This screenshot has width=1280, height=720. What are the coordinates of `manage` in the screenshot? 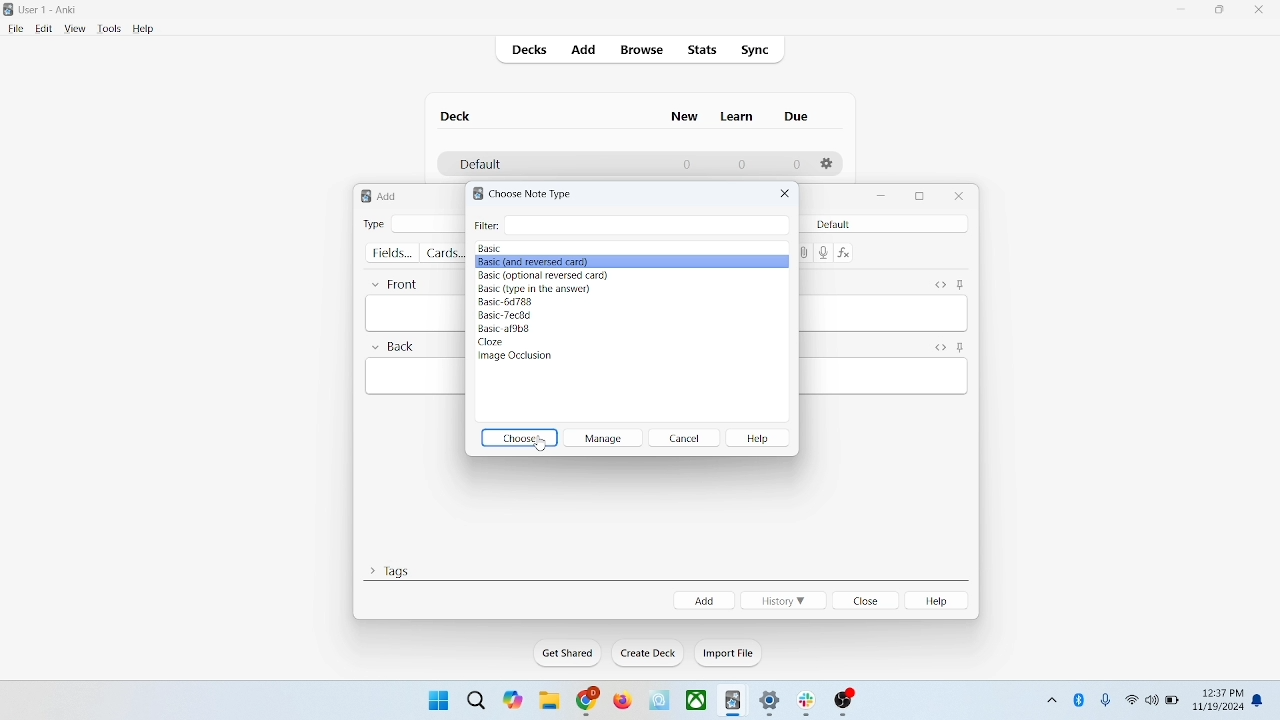 It's located at (602, 437).